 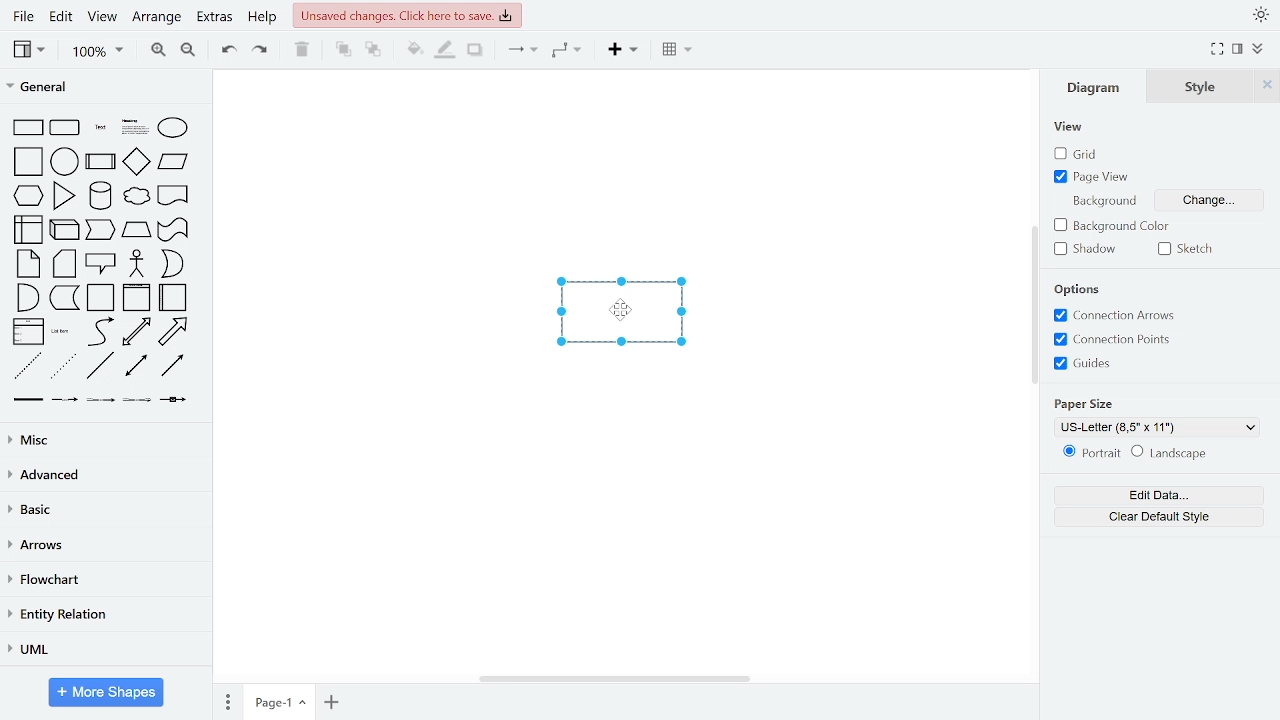 What do you see at coordinates (106, 692) in the screenshot?
I see `more shapes` at bounding box center [106, 692].